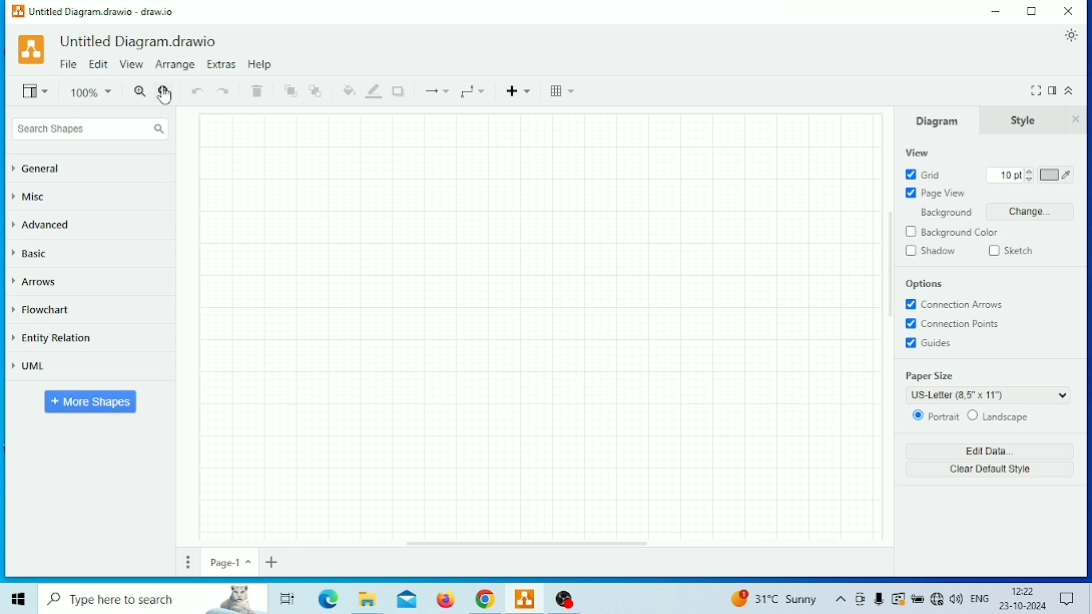  I want to click on Extras, so click(221, 64).